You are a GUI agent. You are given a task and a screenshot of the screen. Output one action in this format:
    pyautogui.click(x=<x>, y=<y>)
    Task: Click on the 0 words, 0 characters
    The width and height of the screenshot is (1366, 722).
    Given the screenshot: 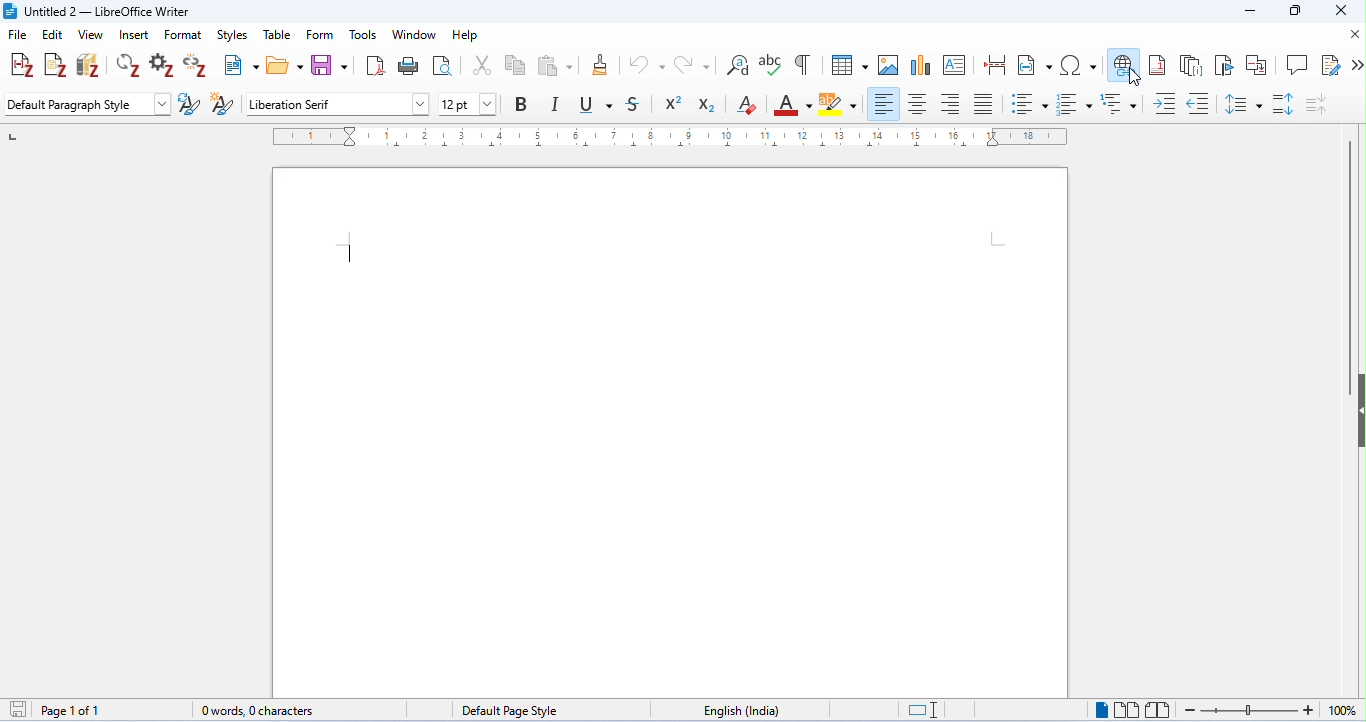 What is the action you would take?
    pyautogui.click(x=260, y=711)
    